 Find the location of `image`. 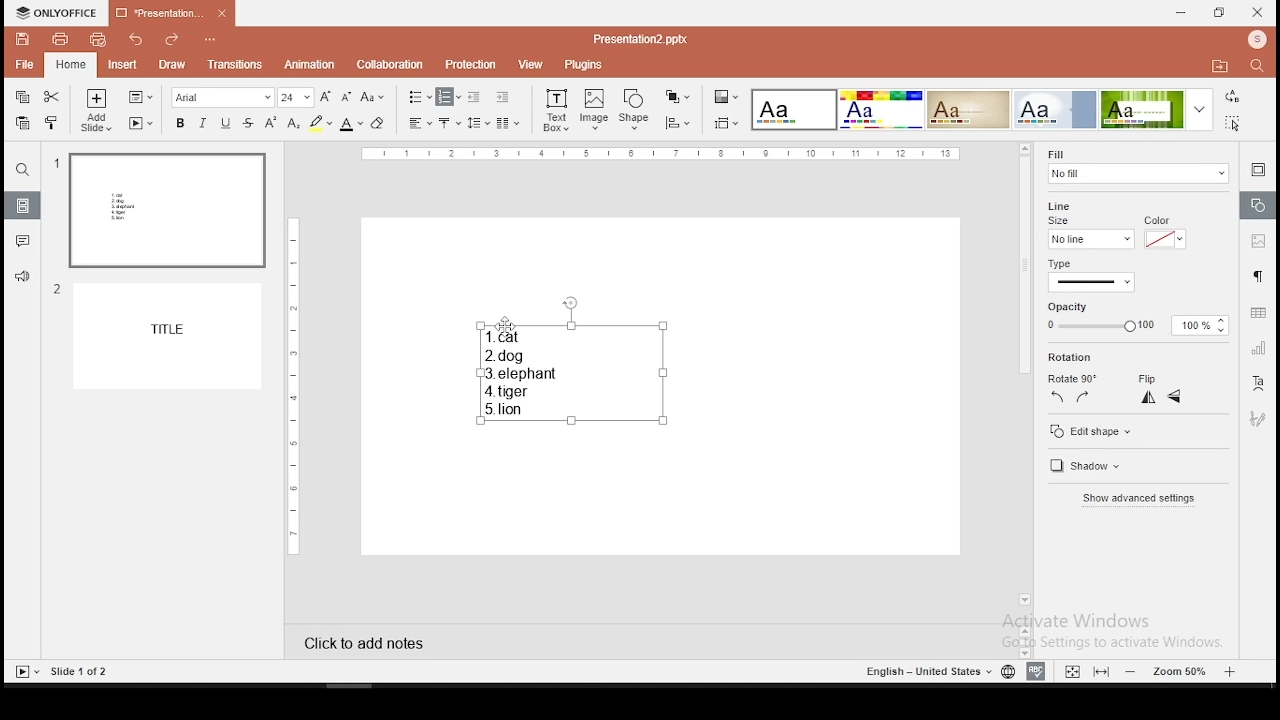

image is located at coordinates (595, 110).